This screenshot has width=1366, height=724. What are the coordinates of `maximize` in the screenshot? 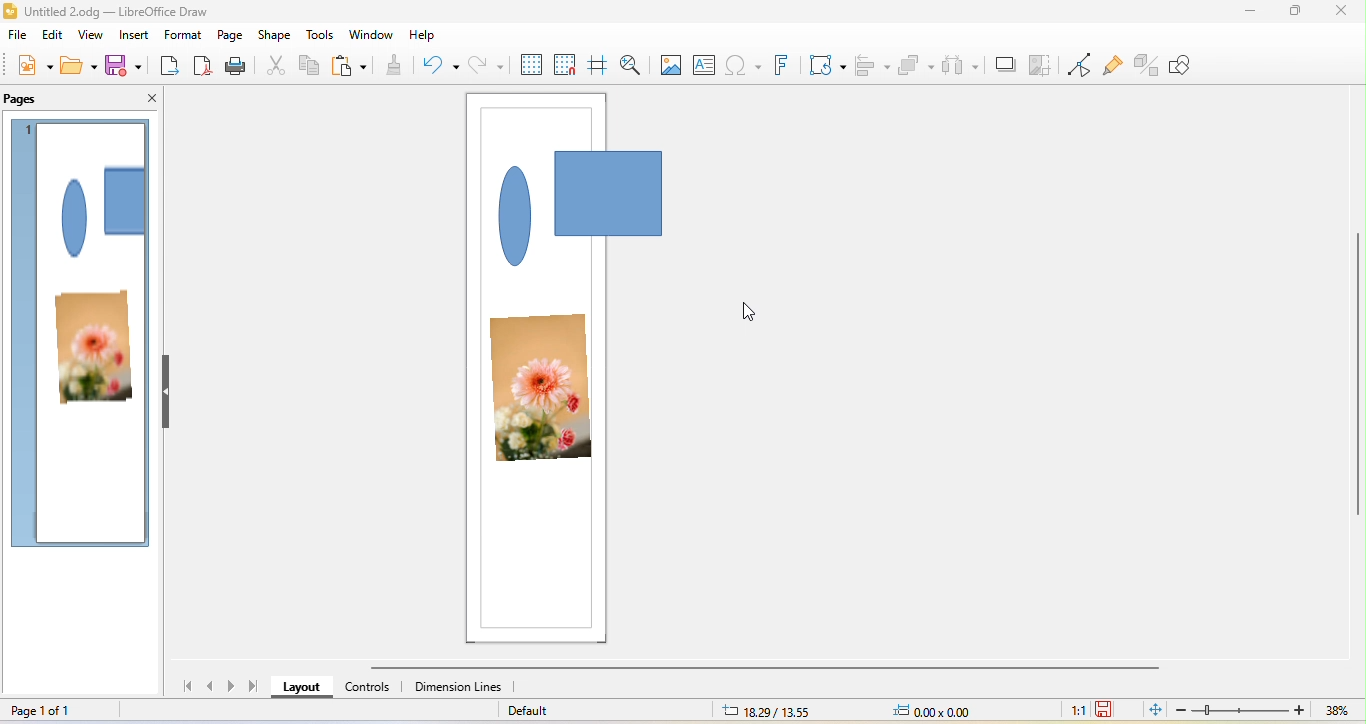 It's located at (1294, 16).